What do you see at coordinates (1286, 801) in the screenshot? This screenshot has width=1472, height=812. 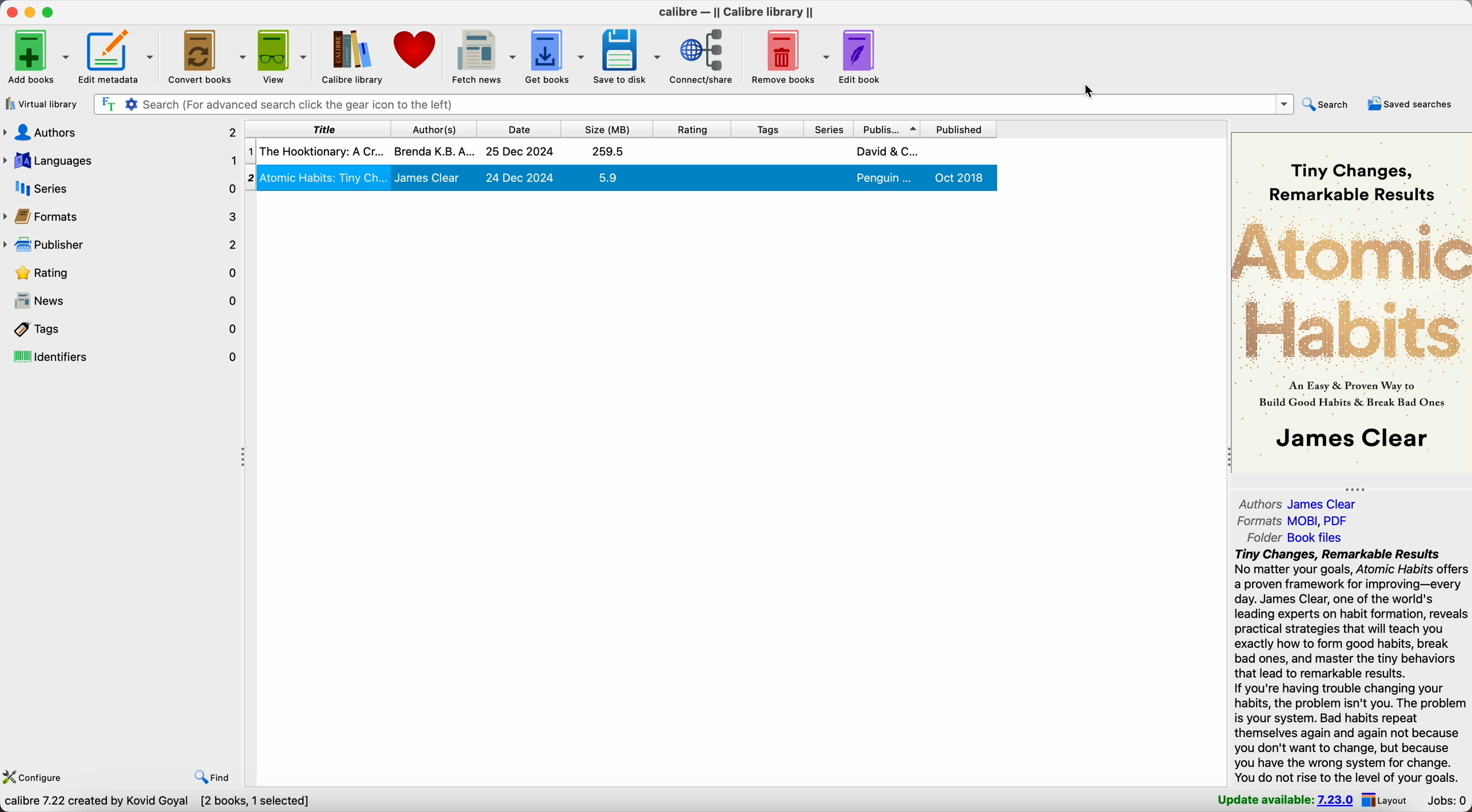 I see `update available` at bounding box center [1286, 801].